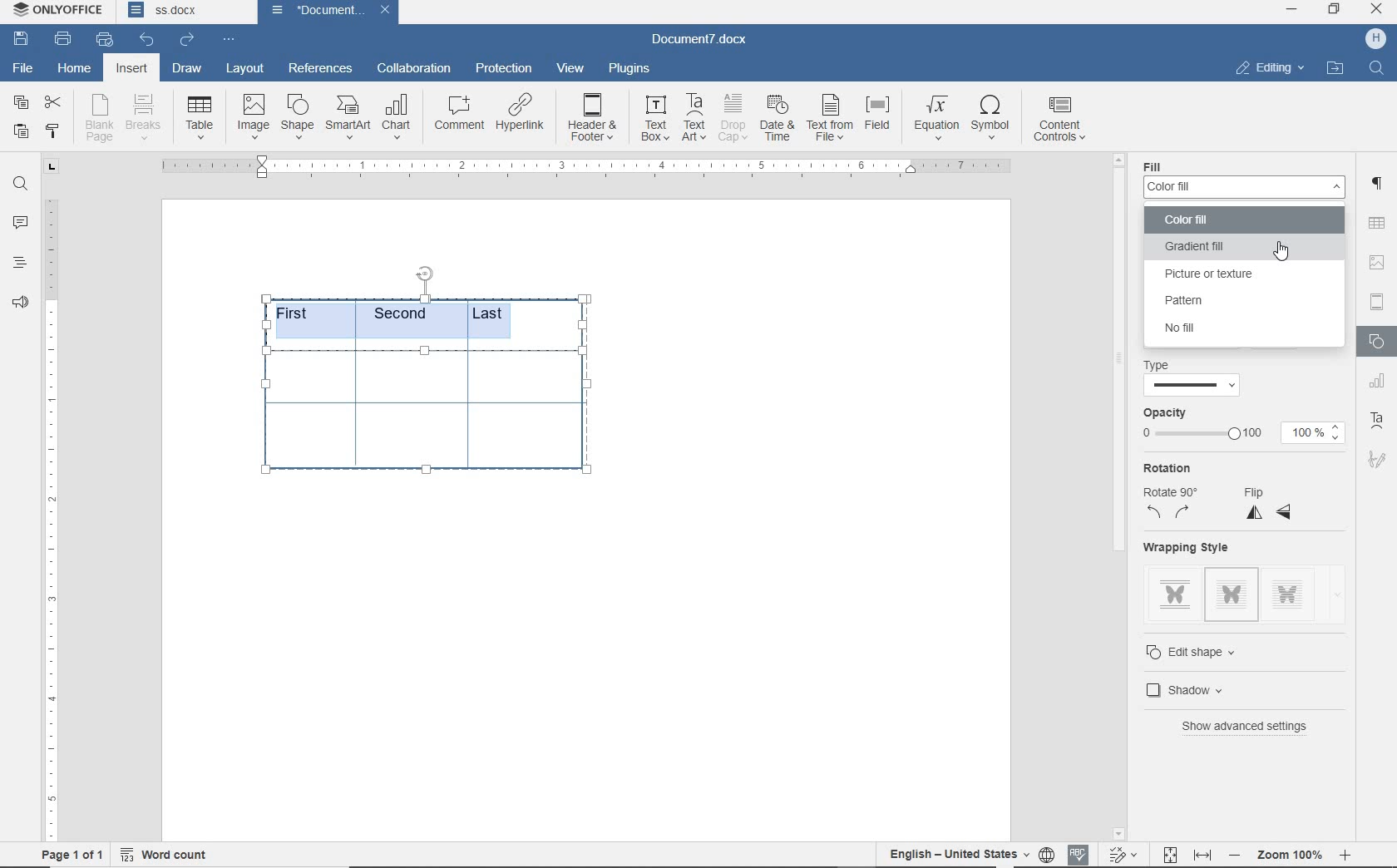 This screenshot has width=1397, height=868. Describe the element at coordinates (1242, 248) in the screenshot. I see `gradient fill` at that location.